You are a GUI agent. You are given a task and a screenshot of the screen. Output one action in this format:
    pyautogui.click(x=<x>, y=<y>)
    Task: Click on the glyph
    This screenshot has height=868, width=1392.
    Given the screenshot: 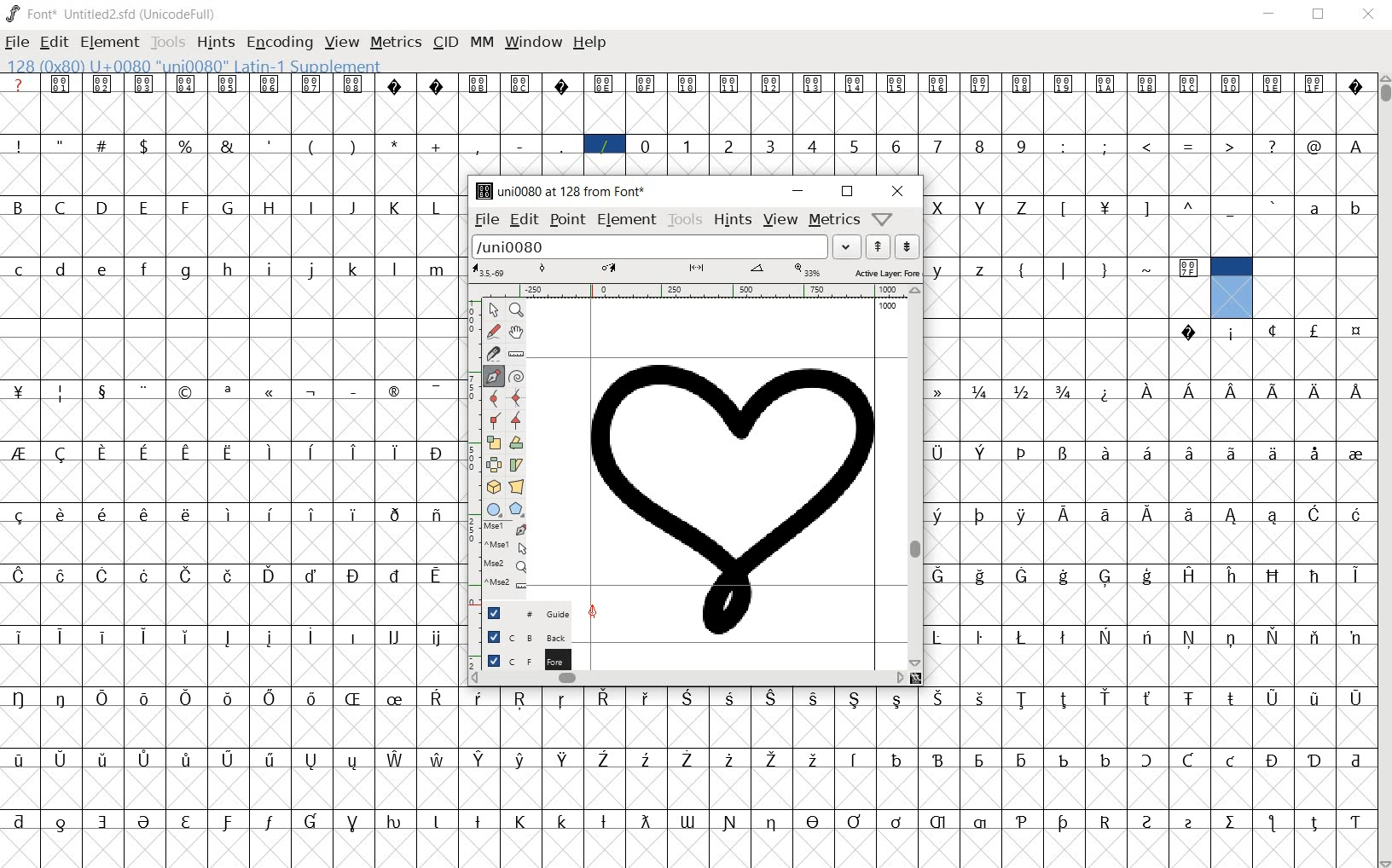 What is the action you would take?
    pyautogui.click(x=938, y=760)
    